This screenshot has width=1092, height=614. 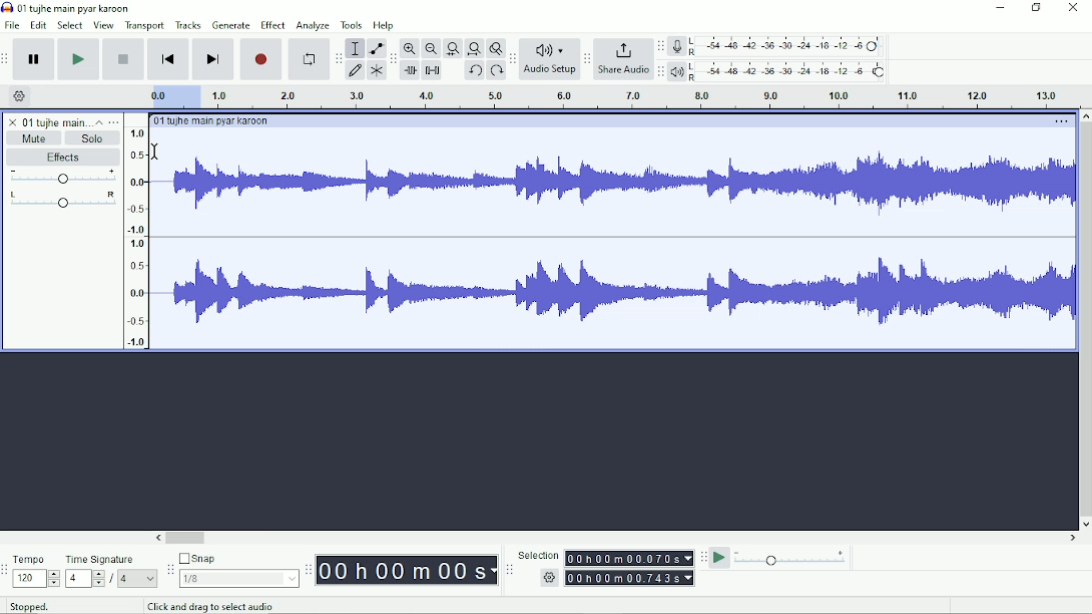 I want to click on Vertical scrollbar, so click(x=1084, y=320).